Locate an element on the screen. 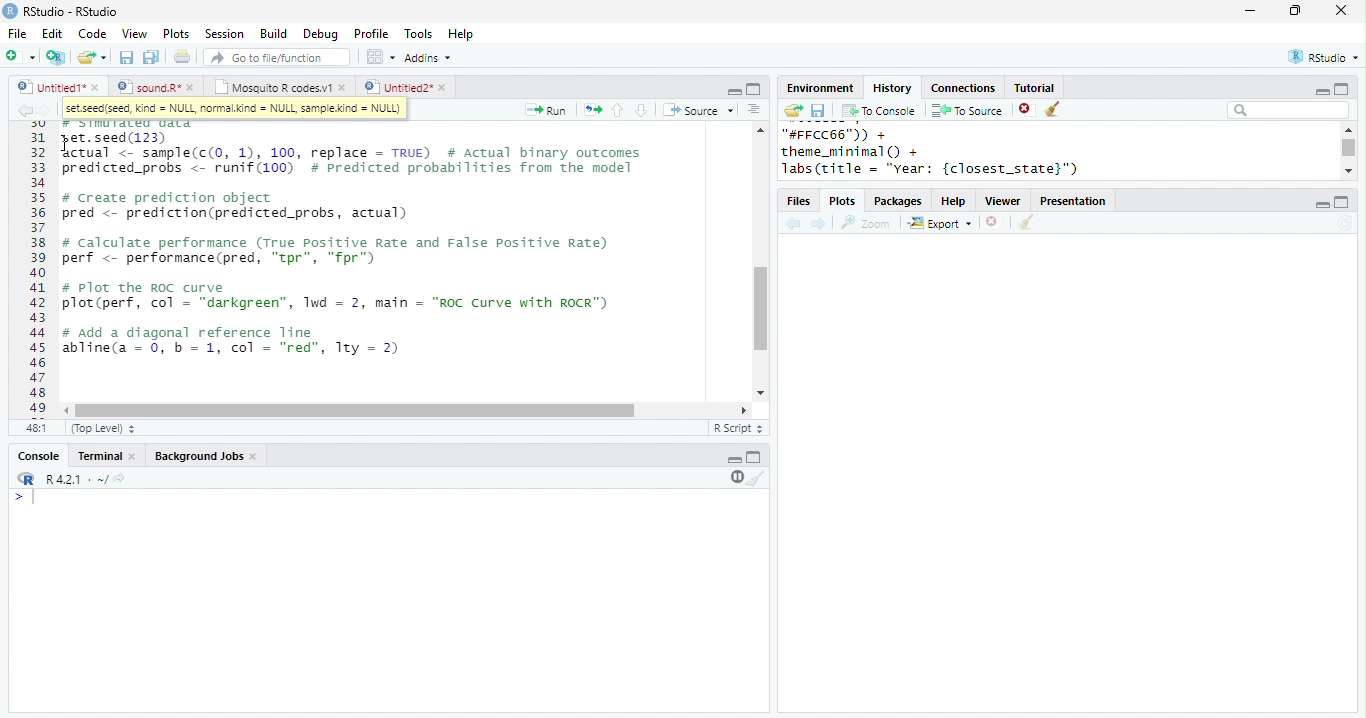 Image resolution: width=1366 pixels, height=718 pixels. Presentation is located at coordinates (1073, 201).